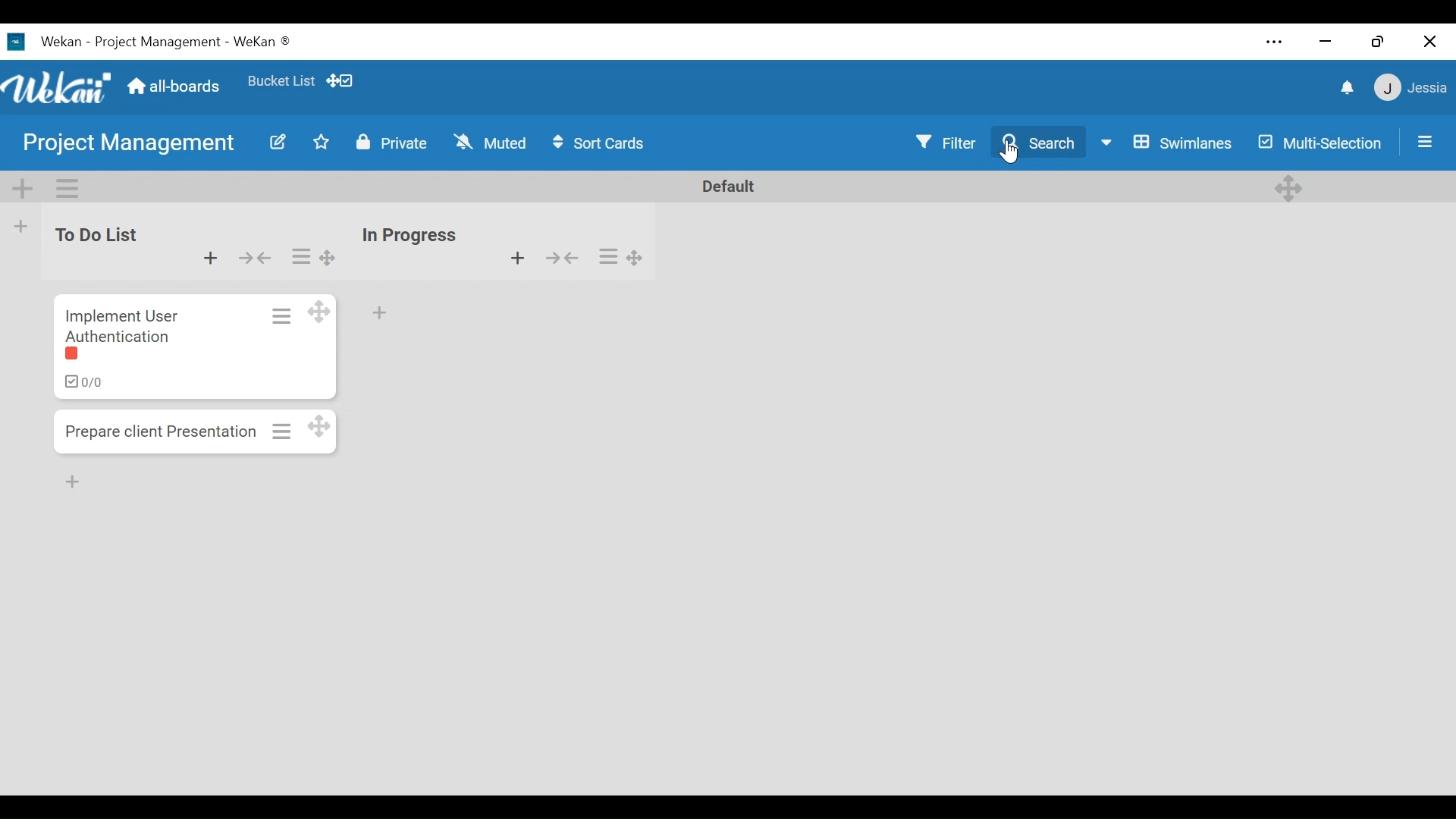 The width and height of the screenshot is (1456, 819). I want to click on Multi-selection, so click(1317, 142).